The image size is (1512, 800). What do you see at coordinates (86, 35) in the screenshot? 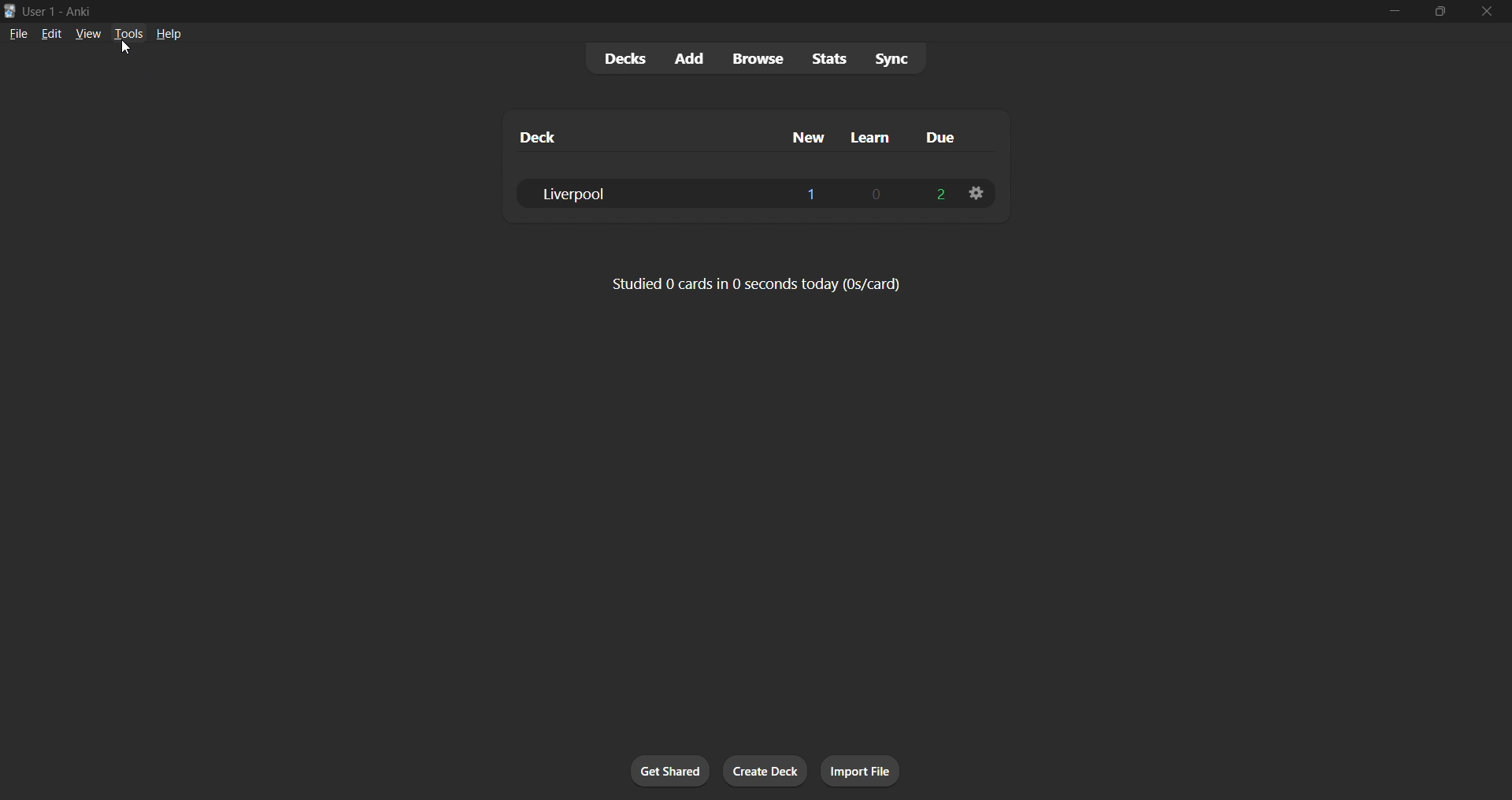
I see `view` at bounding box center [86, 35].